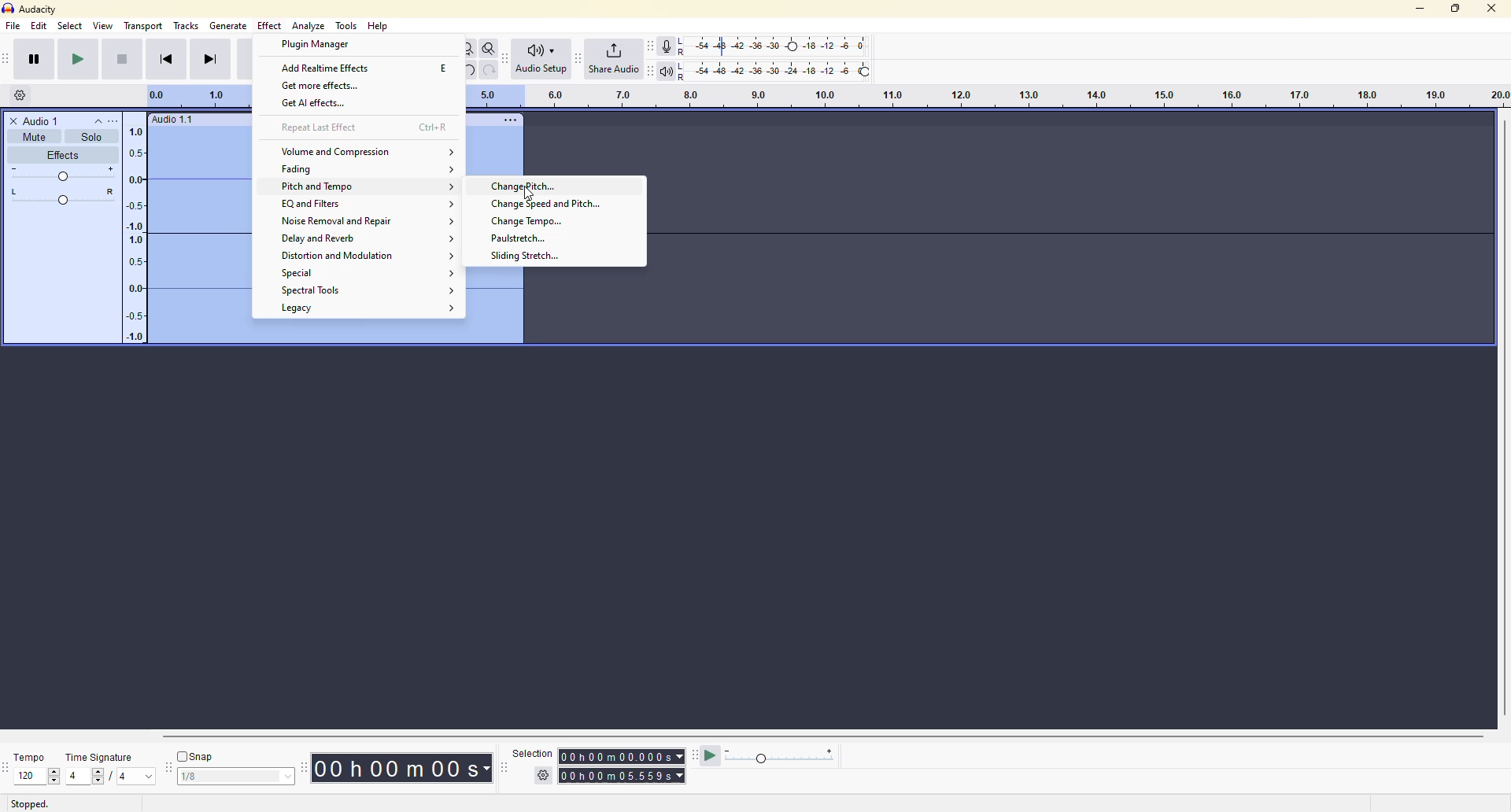  What do you see at coordinates (34, 58) in the screenshot?
I see `pause` at bounding box center [34, 58].